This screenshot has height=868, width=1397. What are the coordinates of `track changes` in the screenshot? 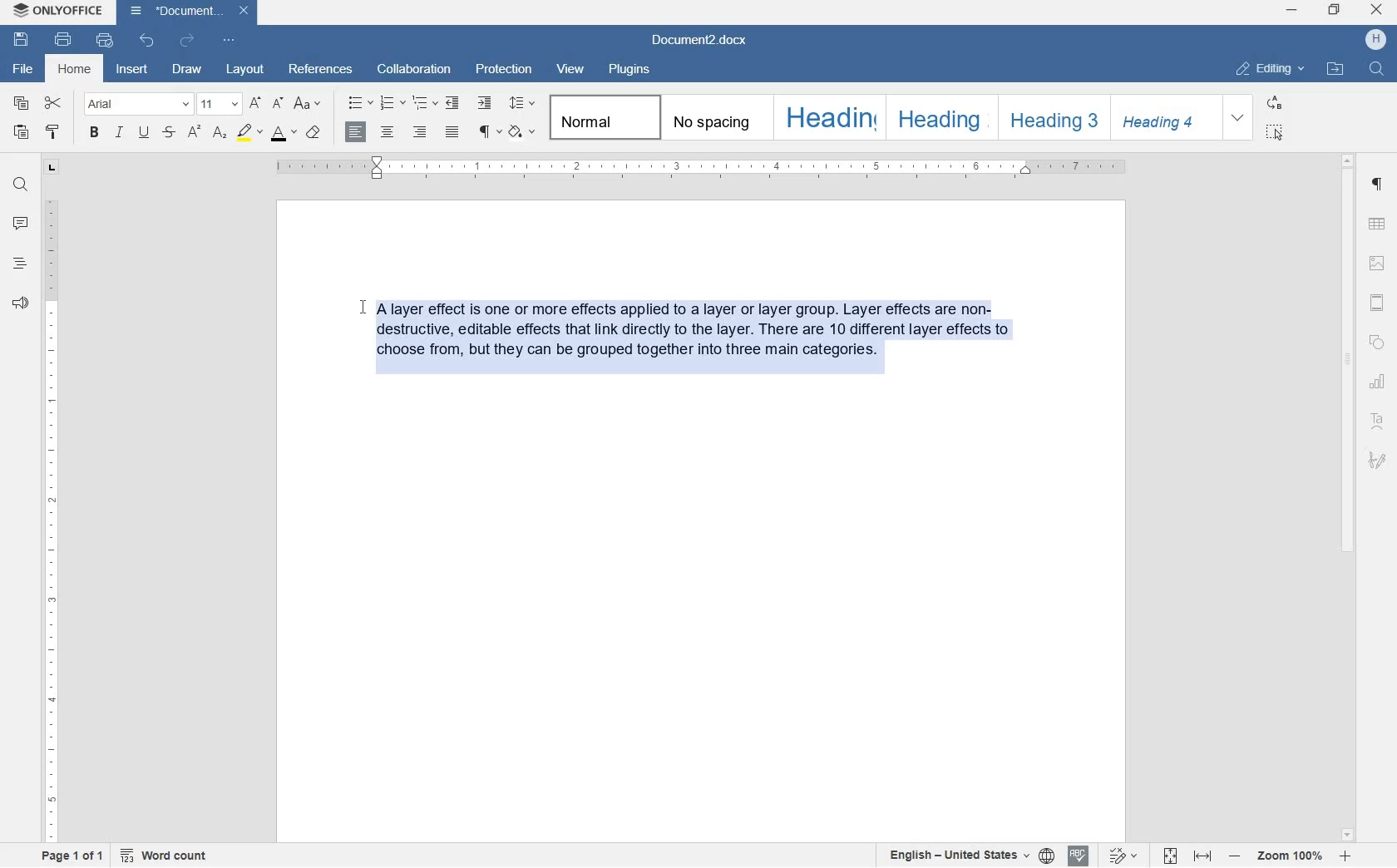 It's located at (1124, 856).